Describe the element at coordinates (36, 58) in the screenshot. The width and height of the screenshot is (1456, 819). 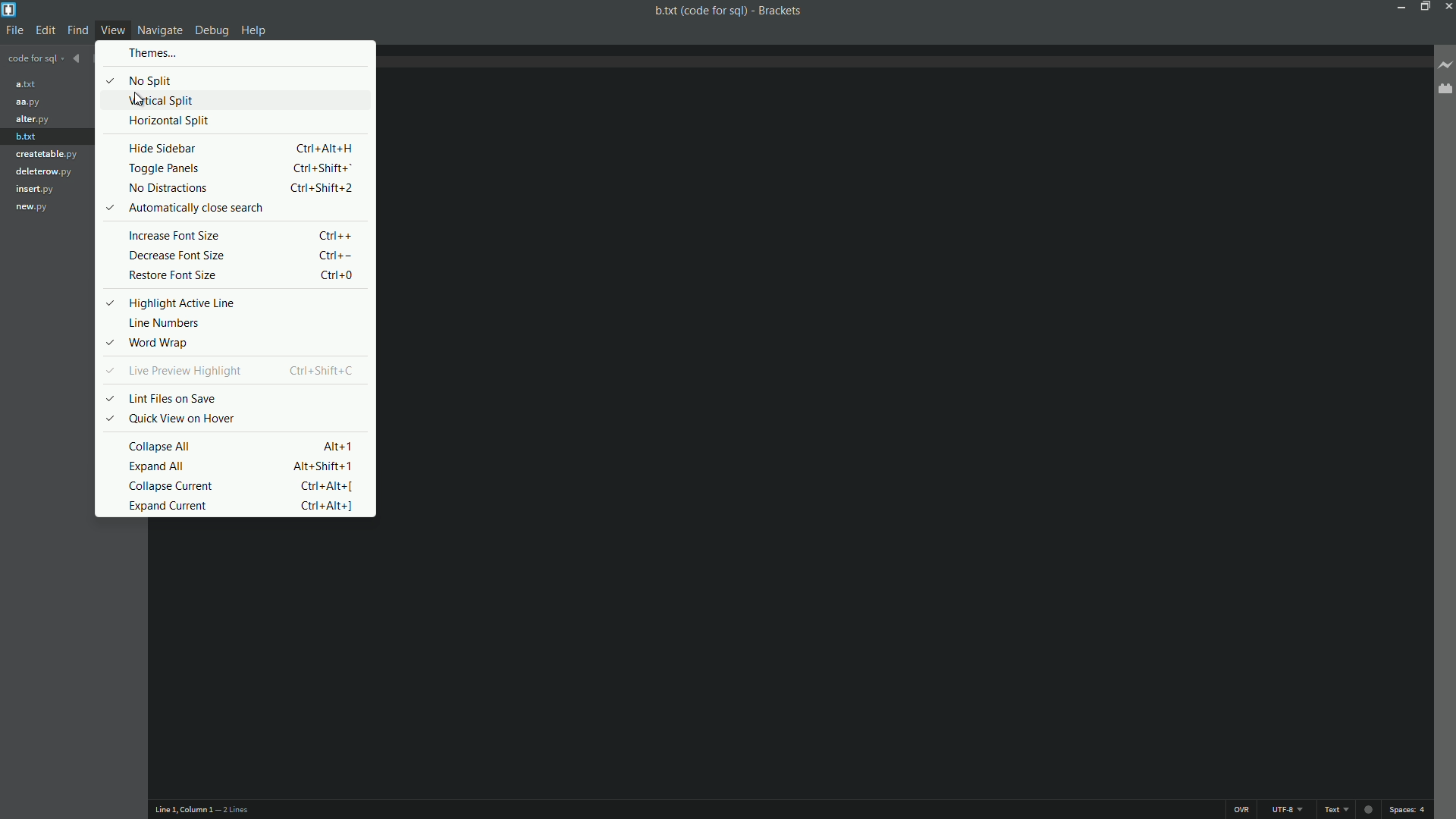
I see `Project name` at that location.